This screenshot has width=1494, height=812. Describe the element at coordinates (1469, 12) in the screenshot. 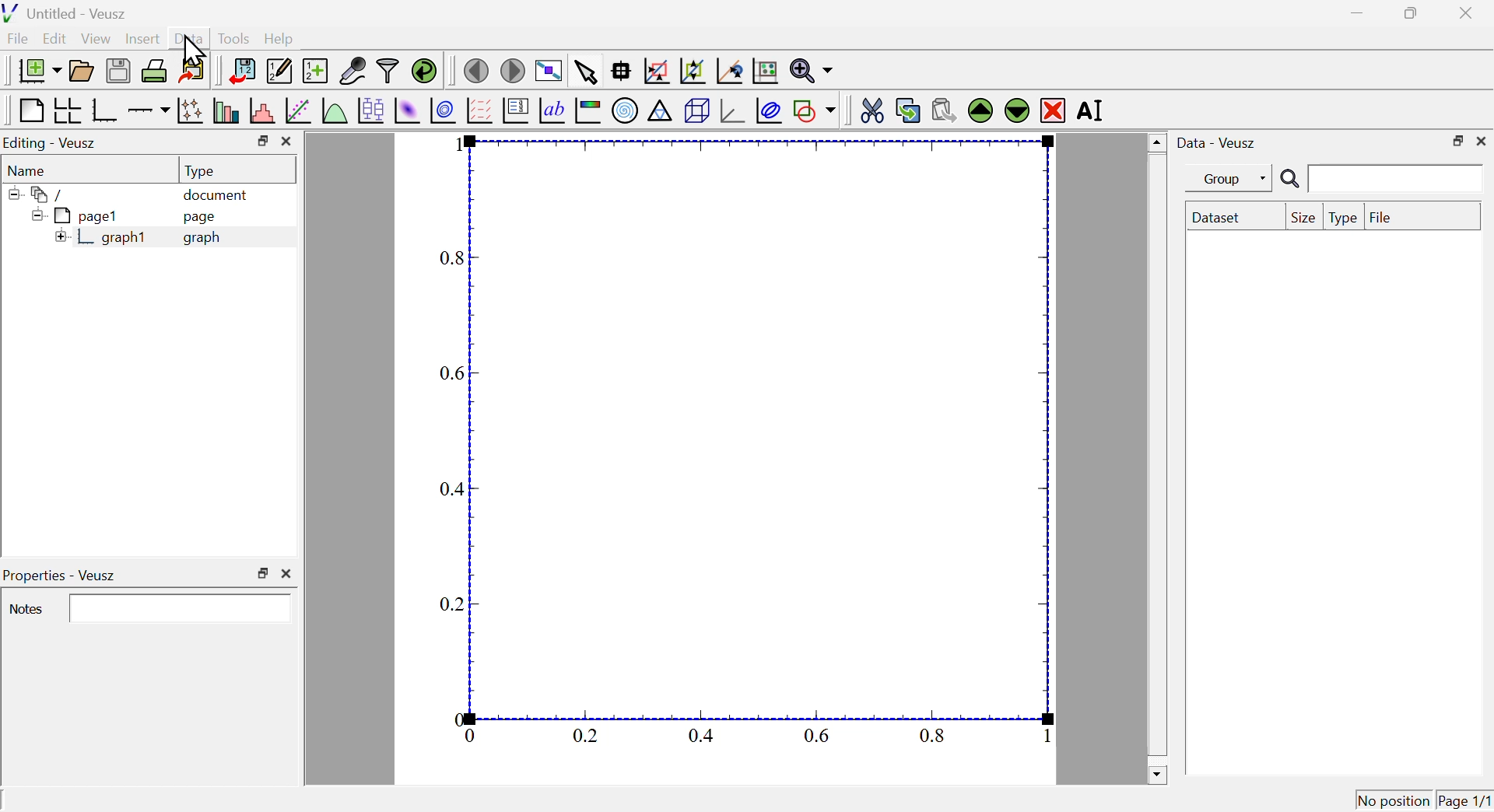

I see `close` at that location.